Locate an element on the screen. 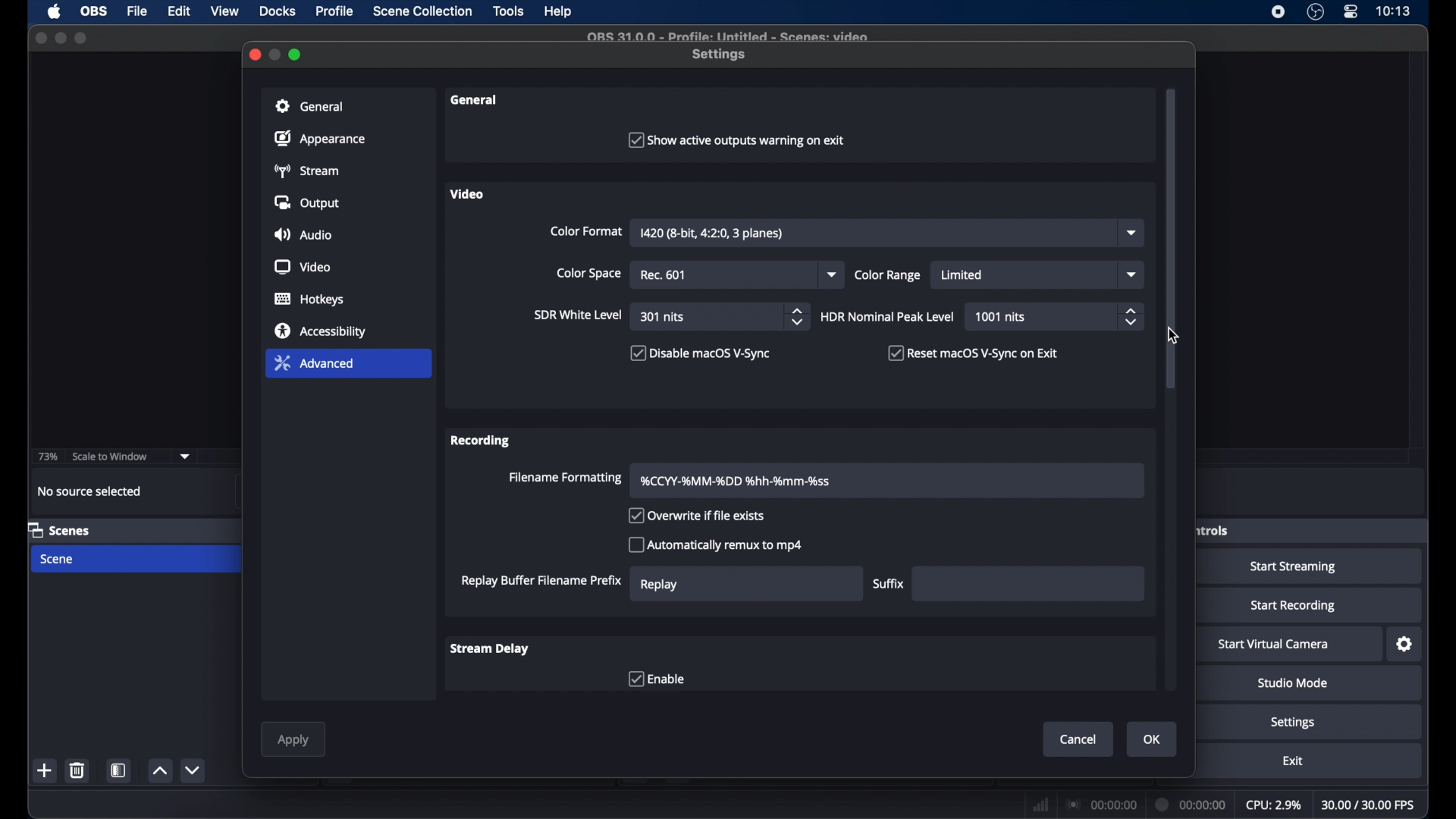  I420  is located at coordinates (711, 234).